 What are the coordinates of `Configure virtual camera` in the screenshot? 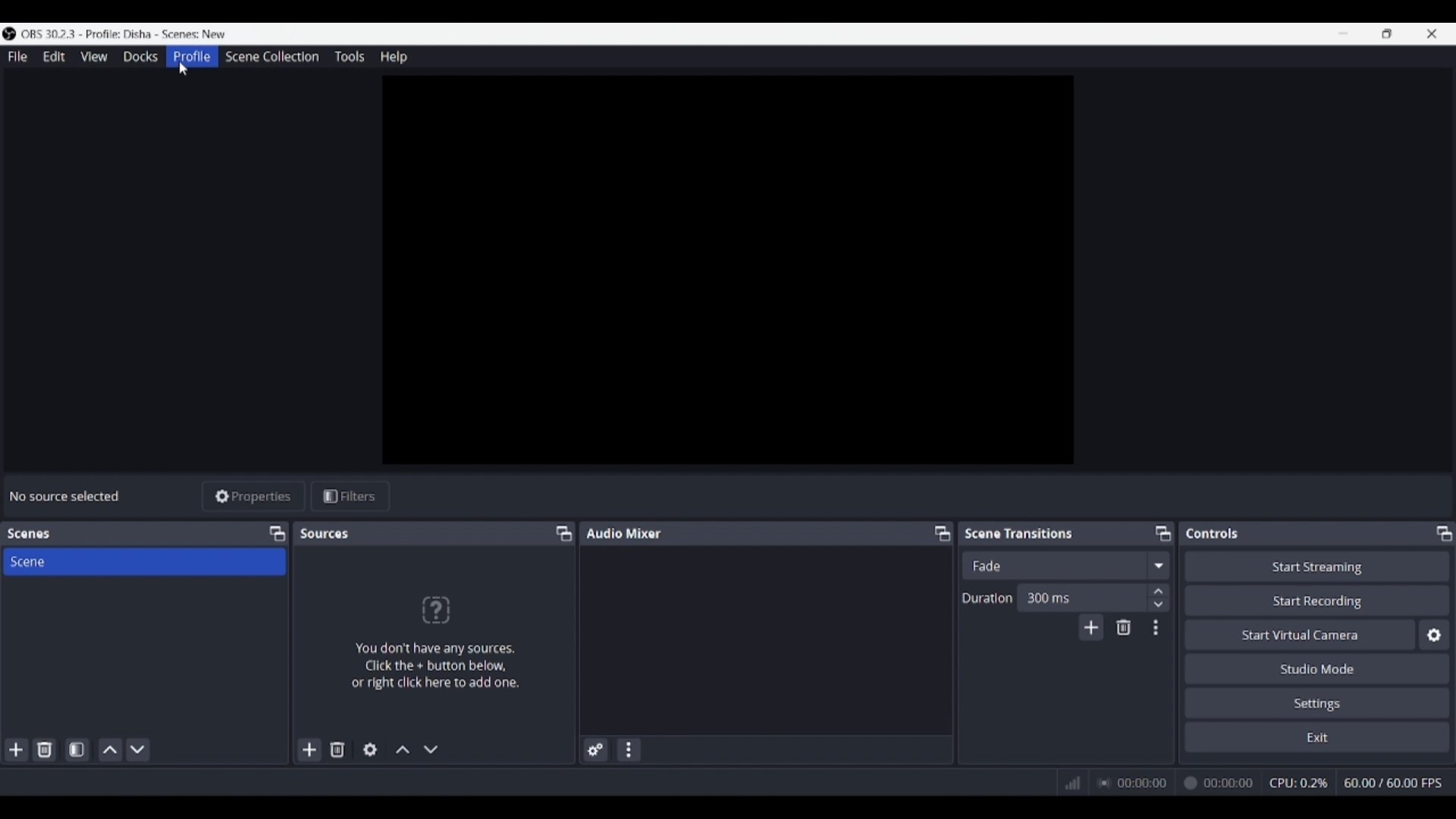 It's located at (1434, 635).